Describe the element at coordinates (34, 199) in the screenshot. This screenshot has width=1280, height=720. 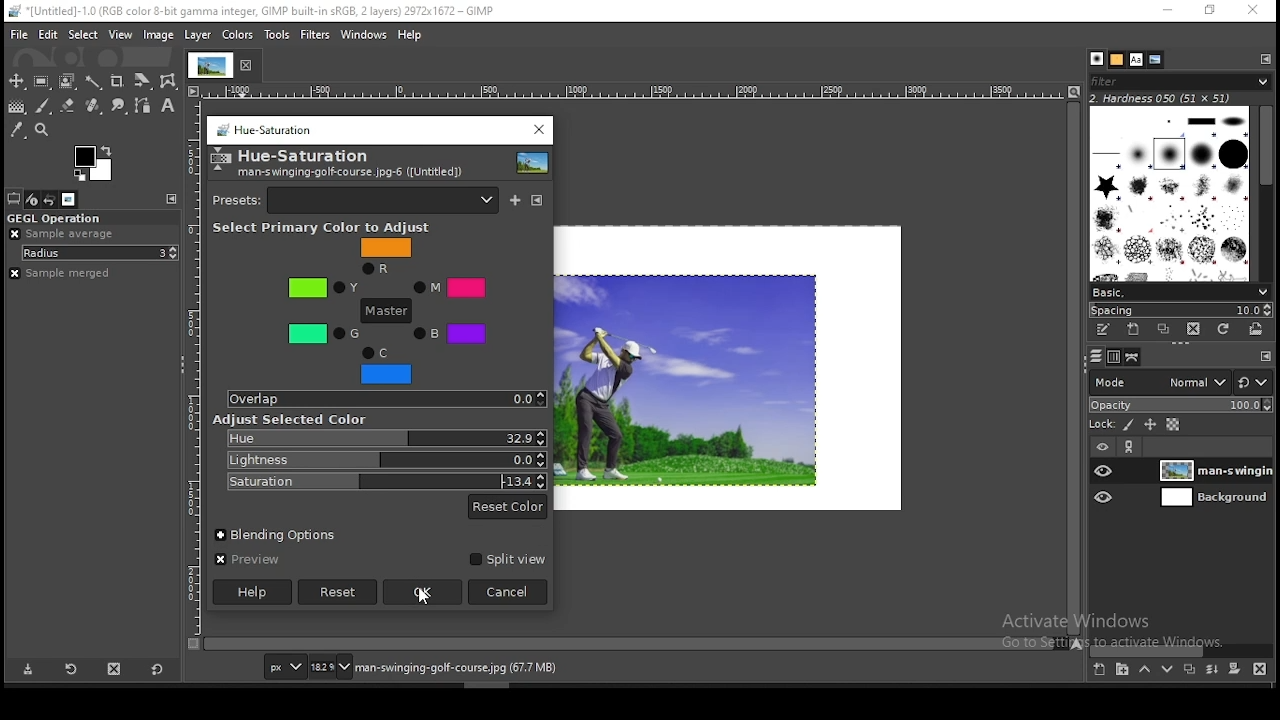
I see `device status` at that location.